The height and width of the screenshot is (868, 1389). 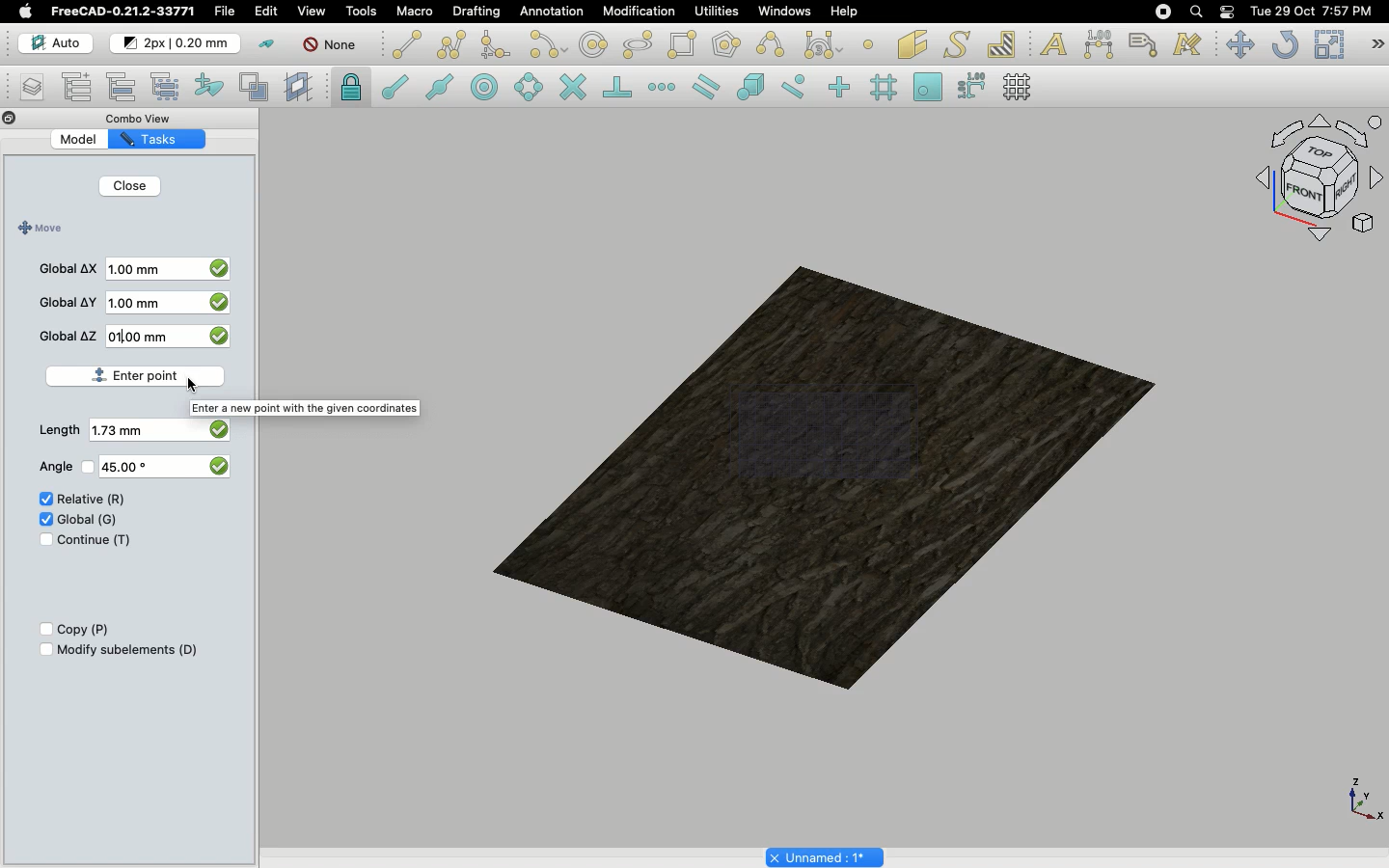 What do you see at coordinates (40, 542) in the screenshot?
I see `Check` at bounding box center [40, 542].